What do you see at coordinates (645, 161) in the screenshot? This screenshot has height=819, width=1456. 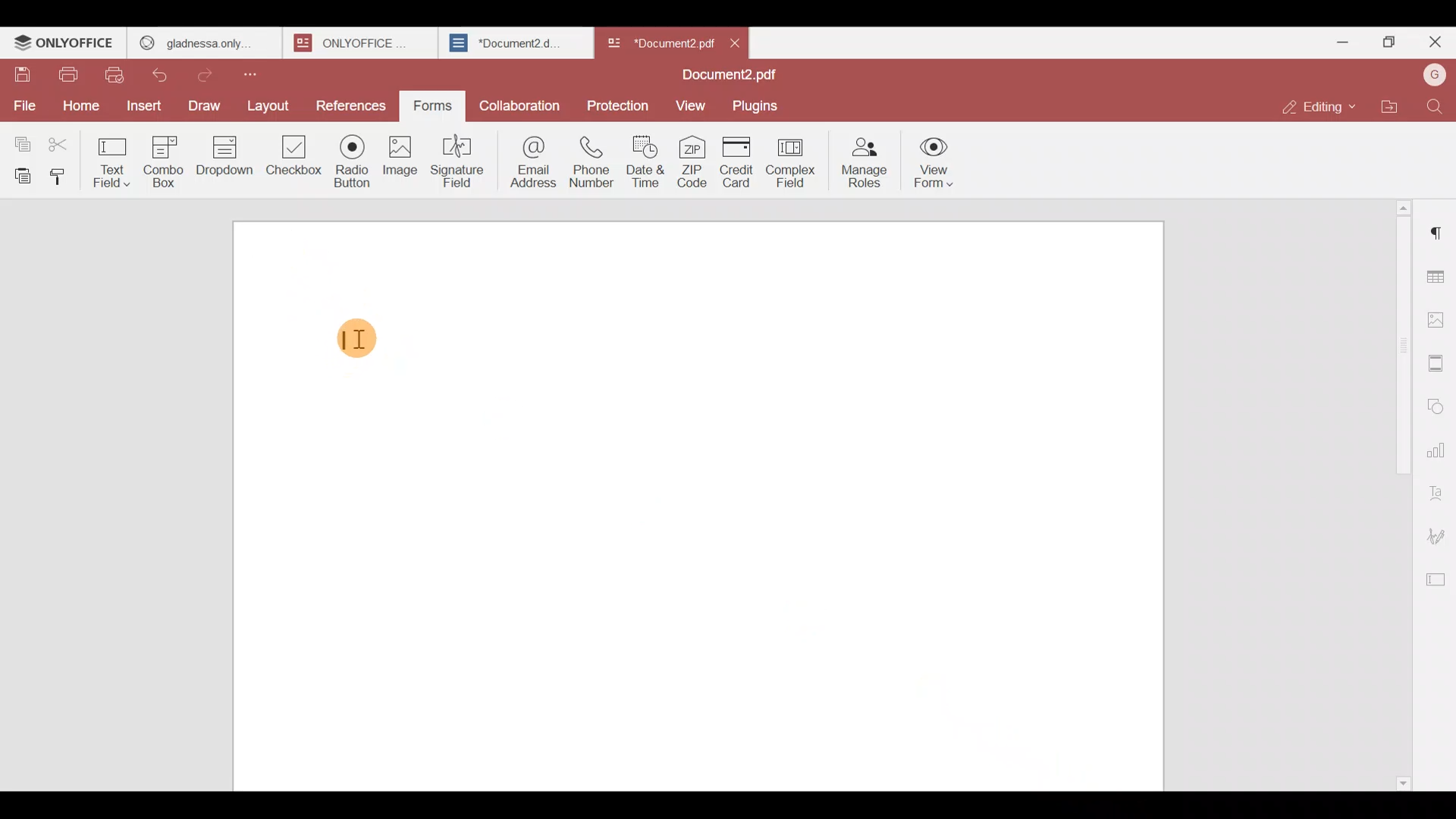 I see `Date & time` at bounding box center [645, 161].